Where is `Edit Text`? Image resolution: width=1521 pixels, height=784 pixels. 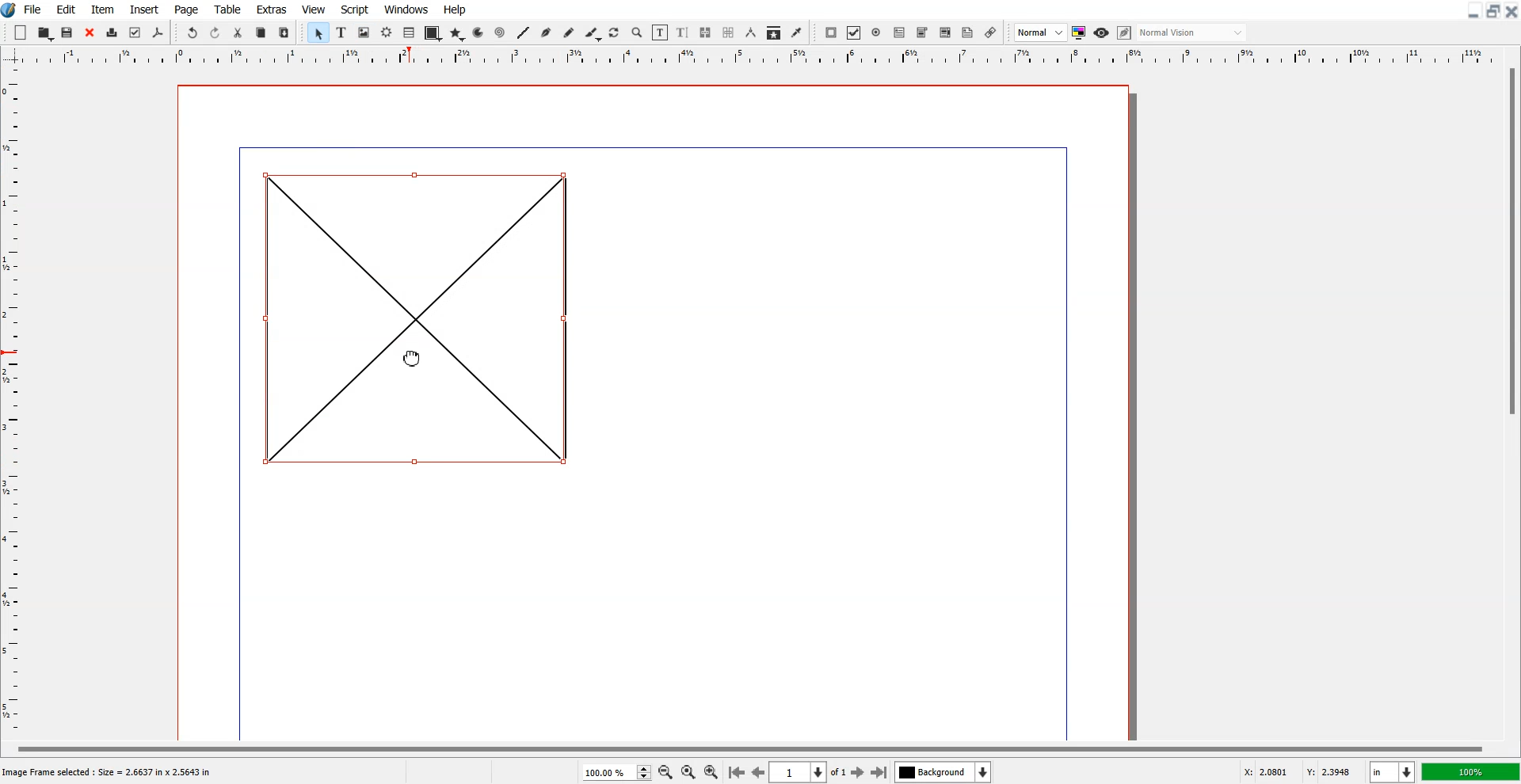
Edit Text is located at coordinates (683, 32).